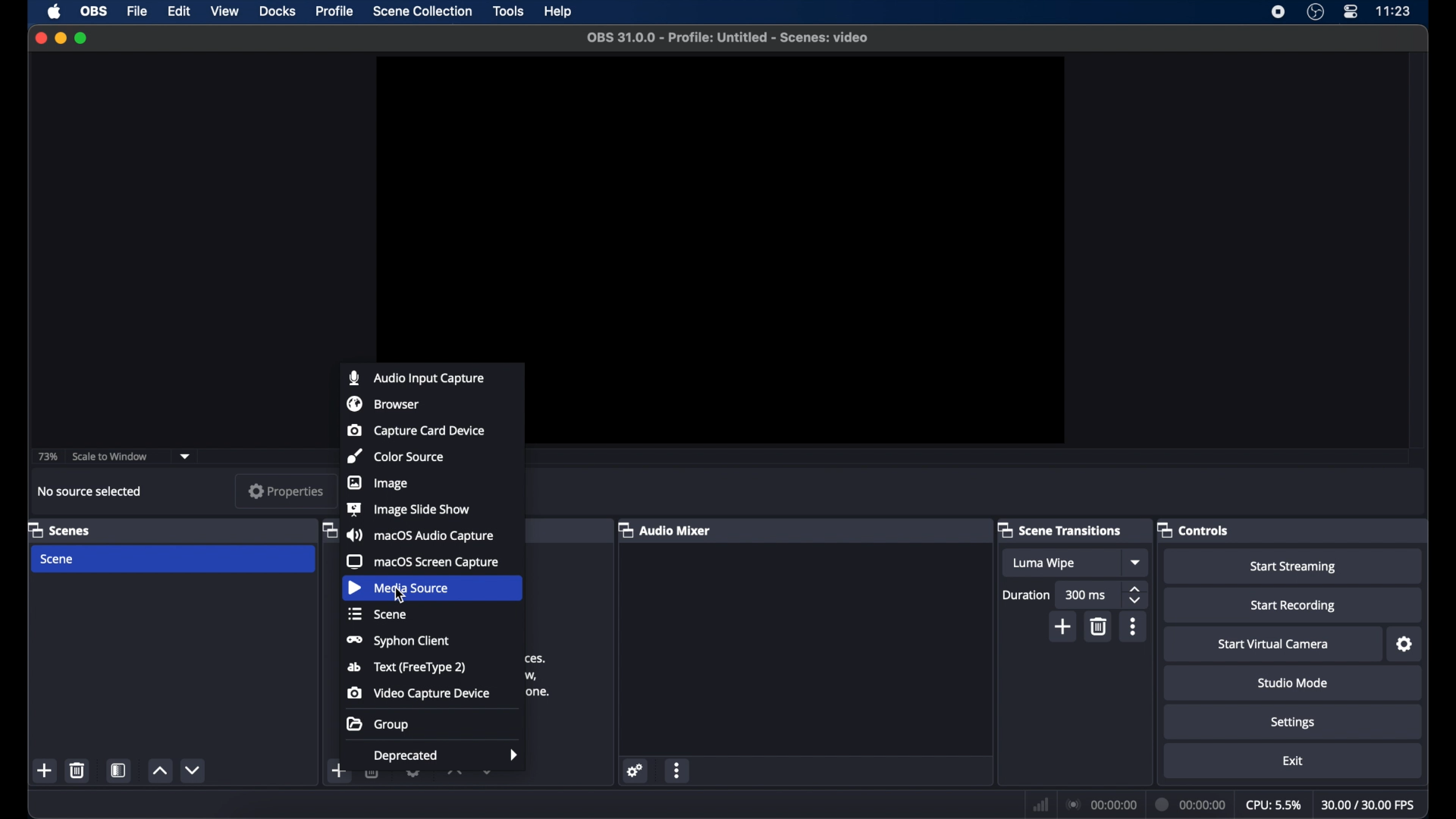  I want to click on 300 ms, so click(1086, 595).